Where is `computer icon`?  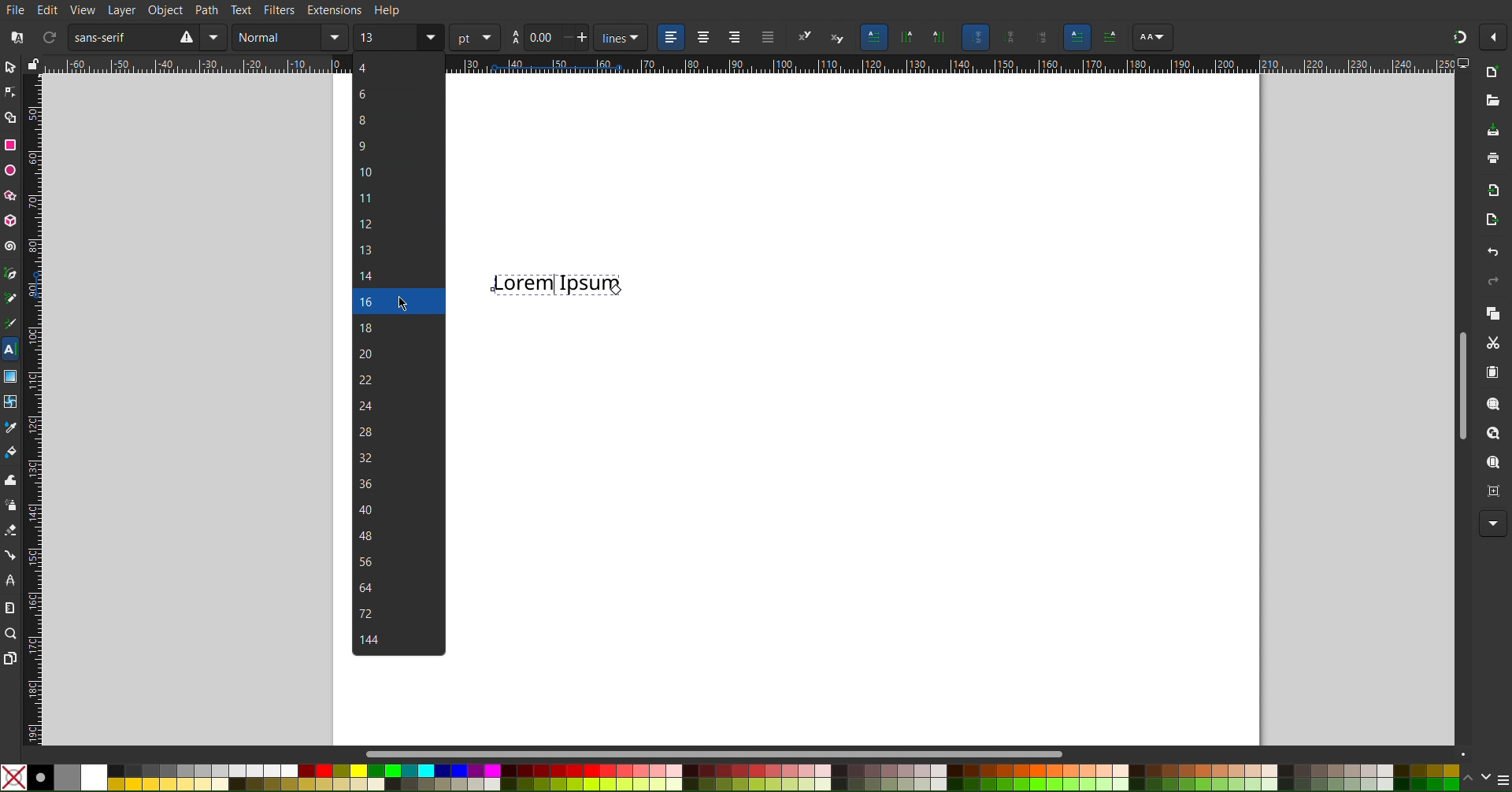 computer icon is located at coordinates (1465, 63).